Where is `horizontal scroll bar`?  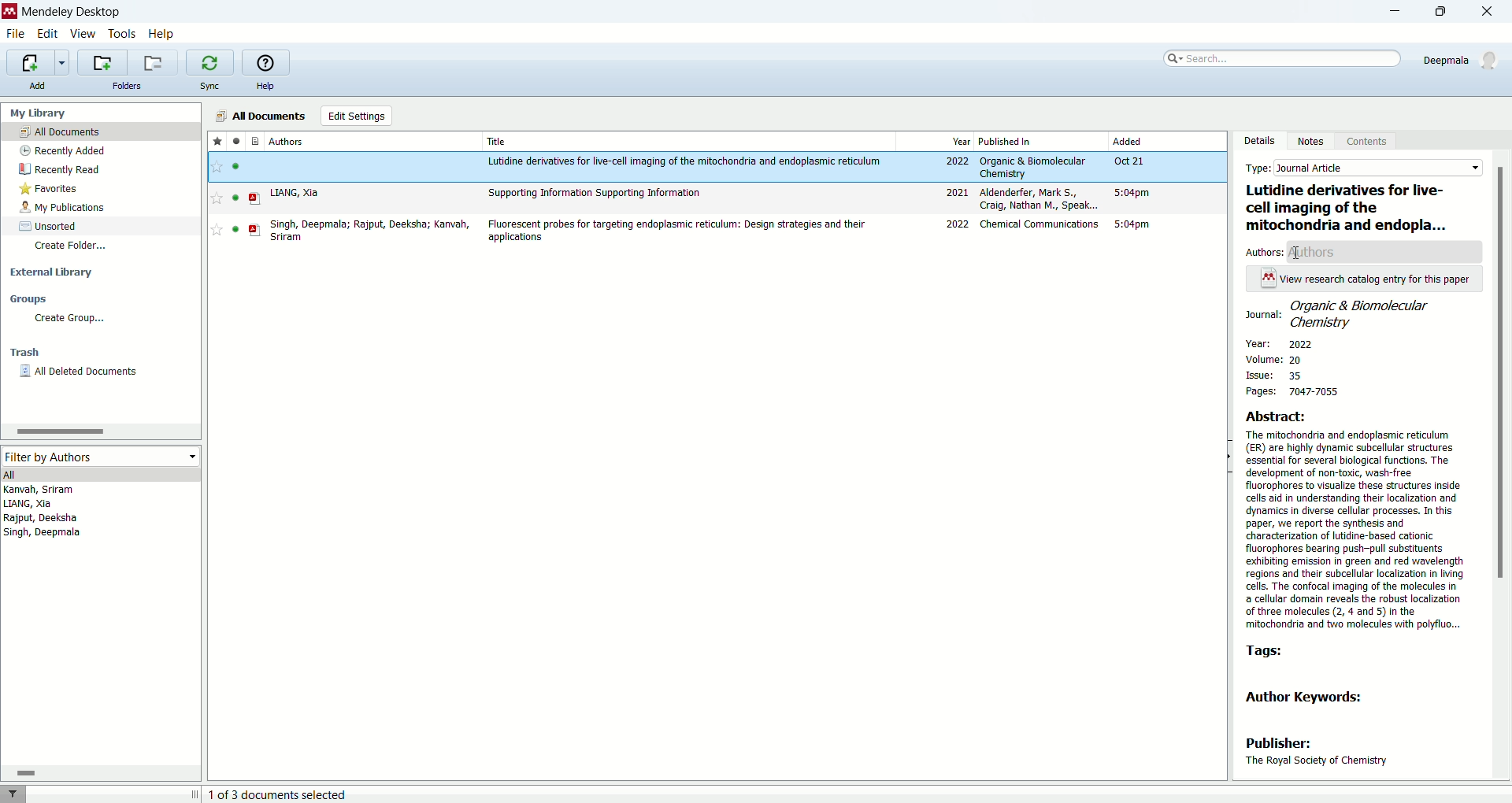 horizontal scroll bar is located at coordinates (102, 773).